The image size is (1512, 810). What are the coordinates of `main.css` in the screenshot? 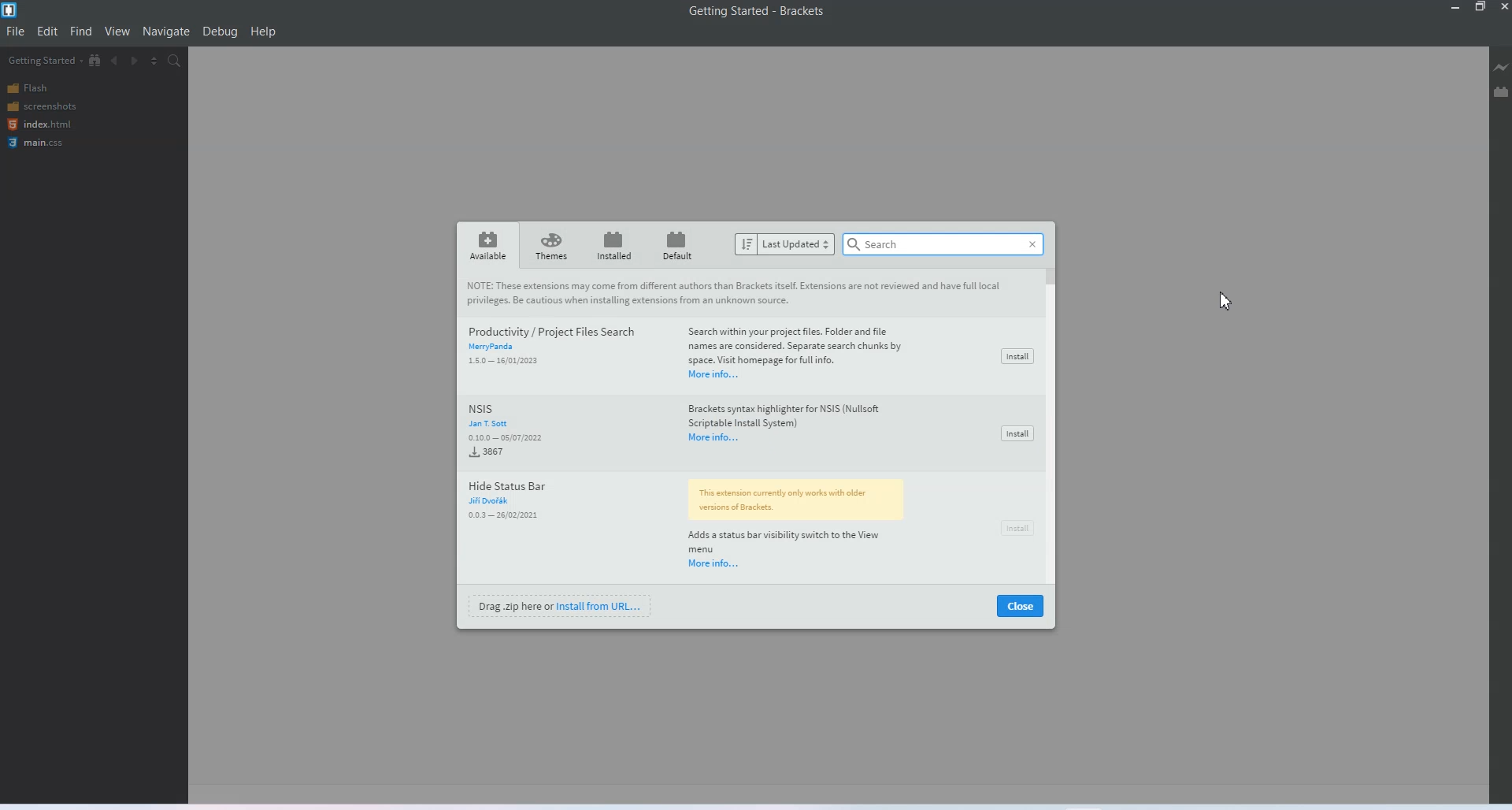 It's located at (38, 143).